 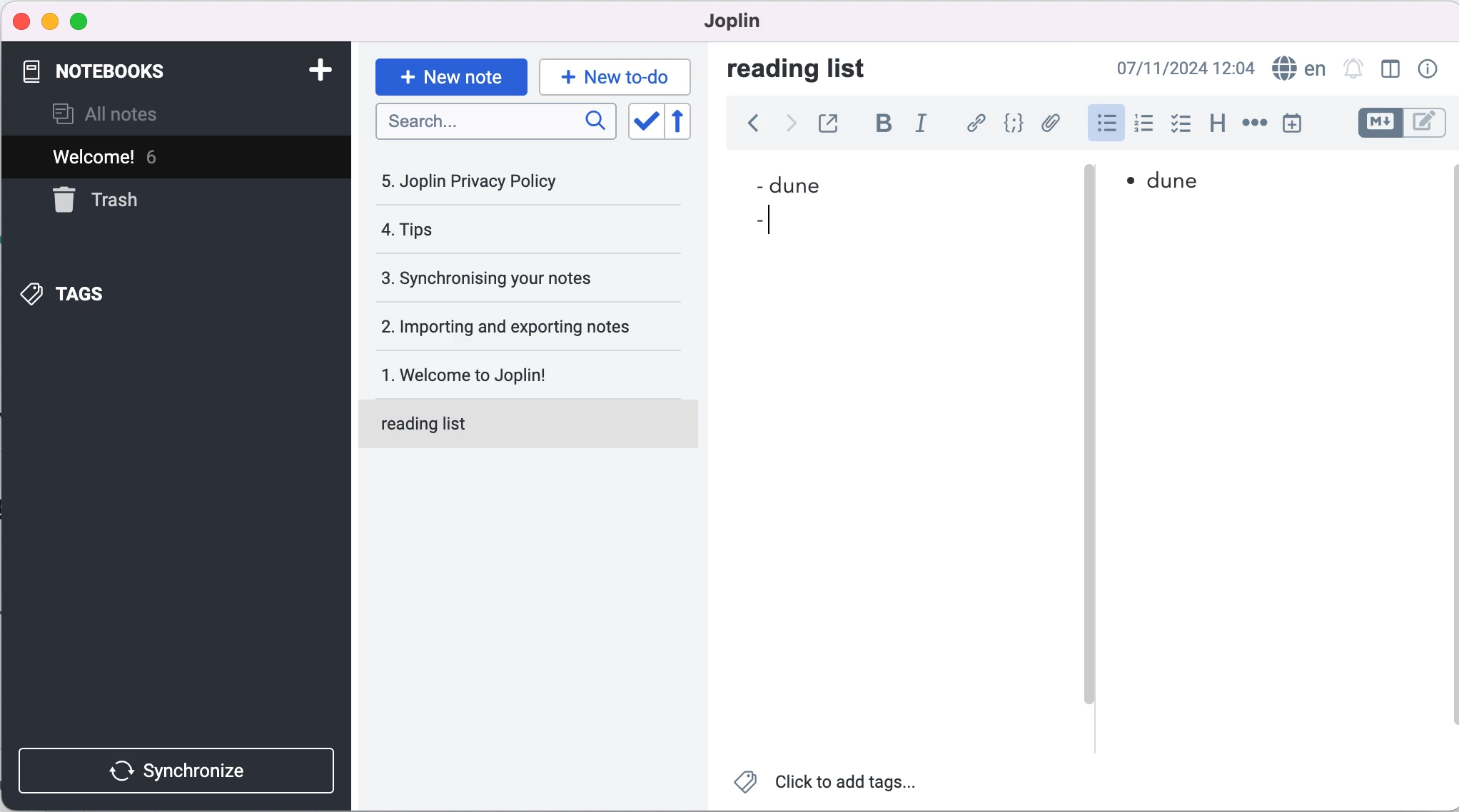 I want to click on new note, so click(x=449, y=76).